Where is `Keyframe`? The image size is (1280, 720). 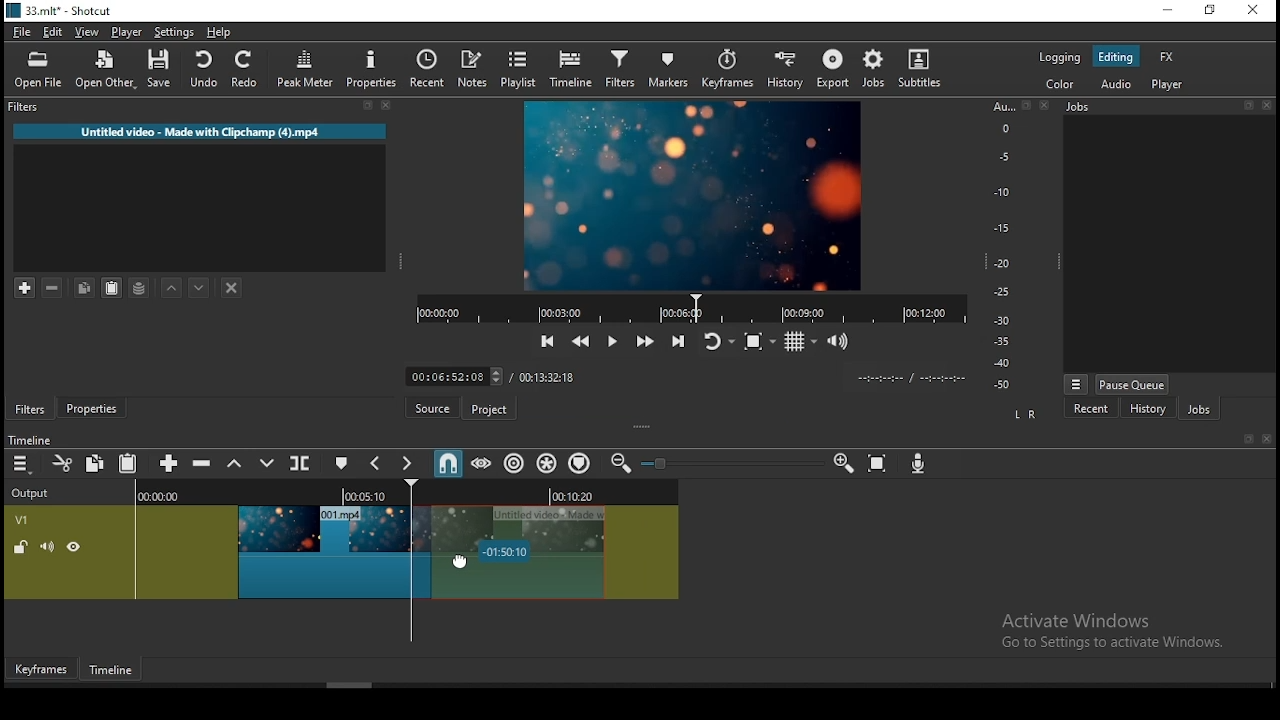 Keyframe is located at coordinates (41, 667).